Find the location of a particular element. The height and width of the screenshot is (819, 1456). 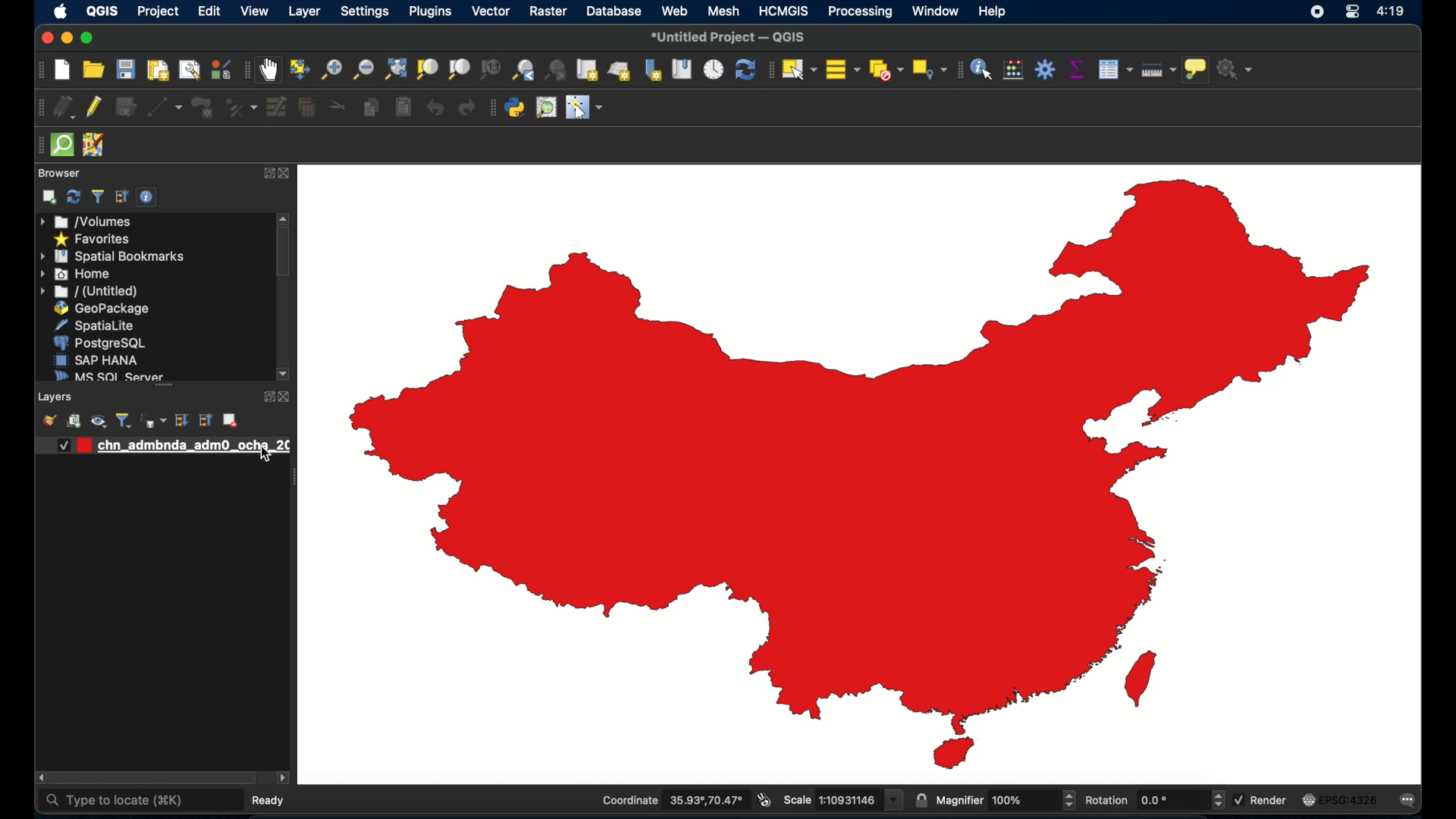

show map tips is located at coordinates (1196, 71).